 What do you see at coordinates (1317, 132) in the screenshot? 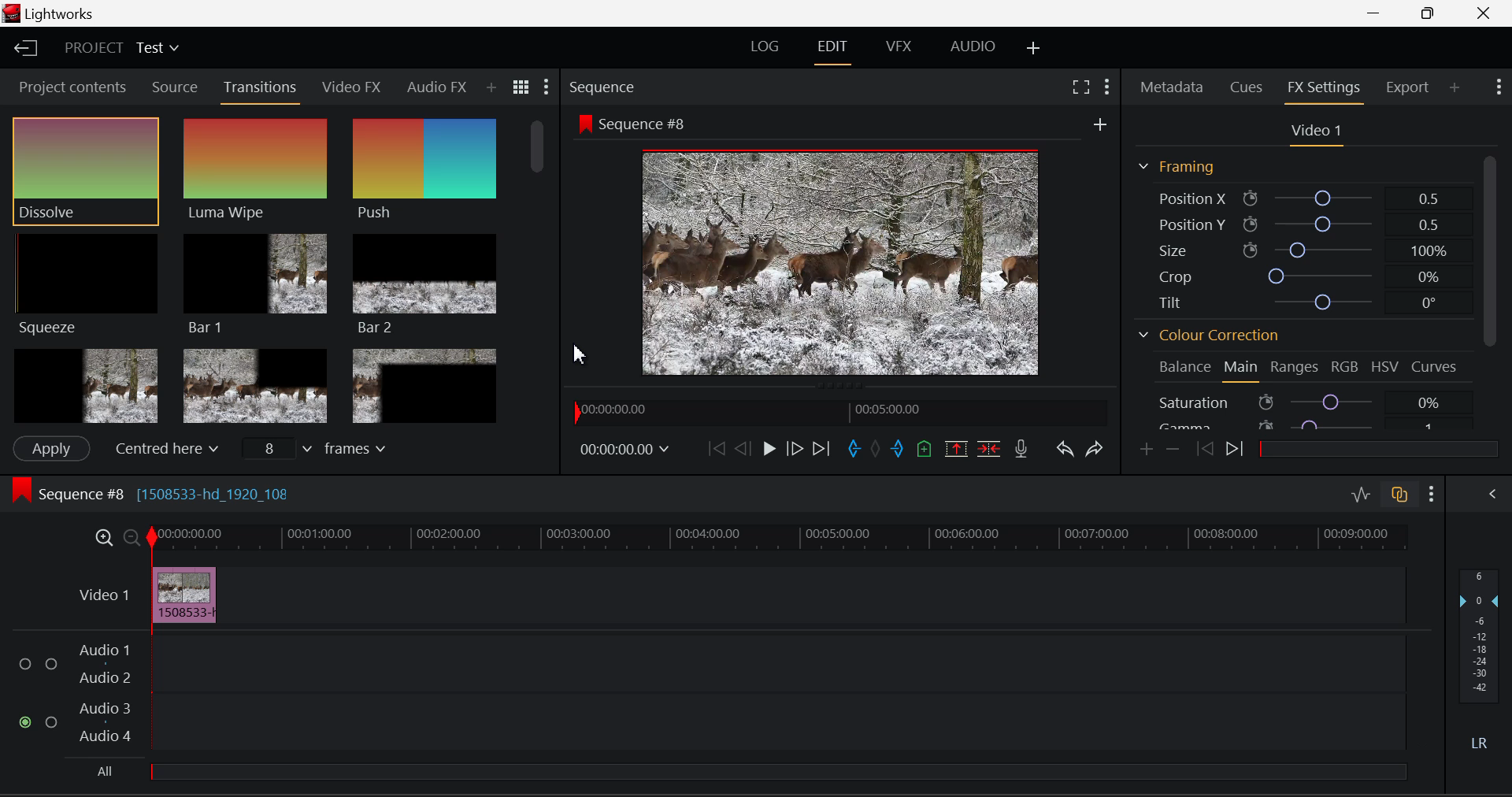
I see `Video Settings` at bounding box center [1317, 132].